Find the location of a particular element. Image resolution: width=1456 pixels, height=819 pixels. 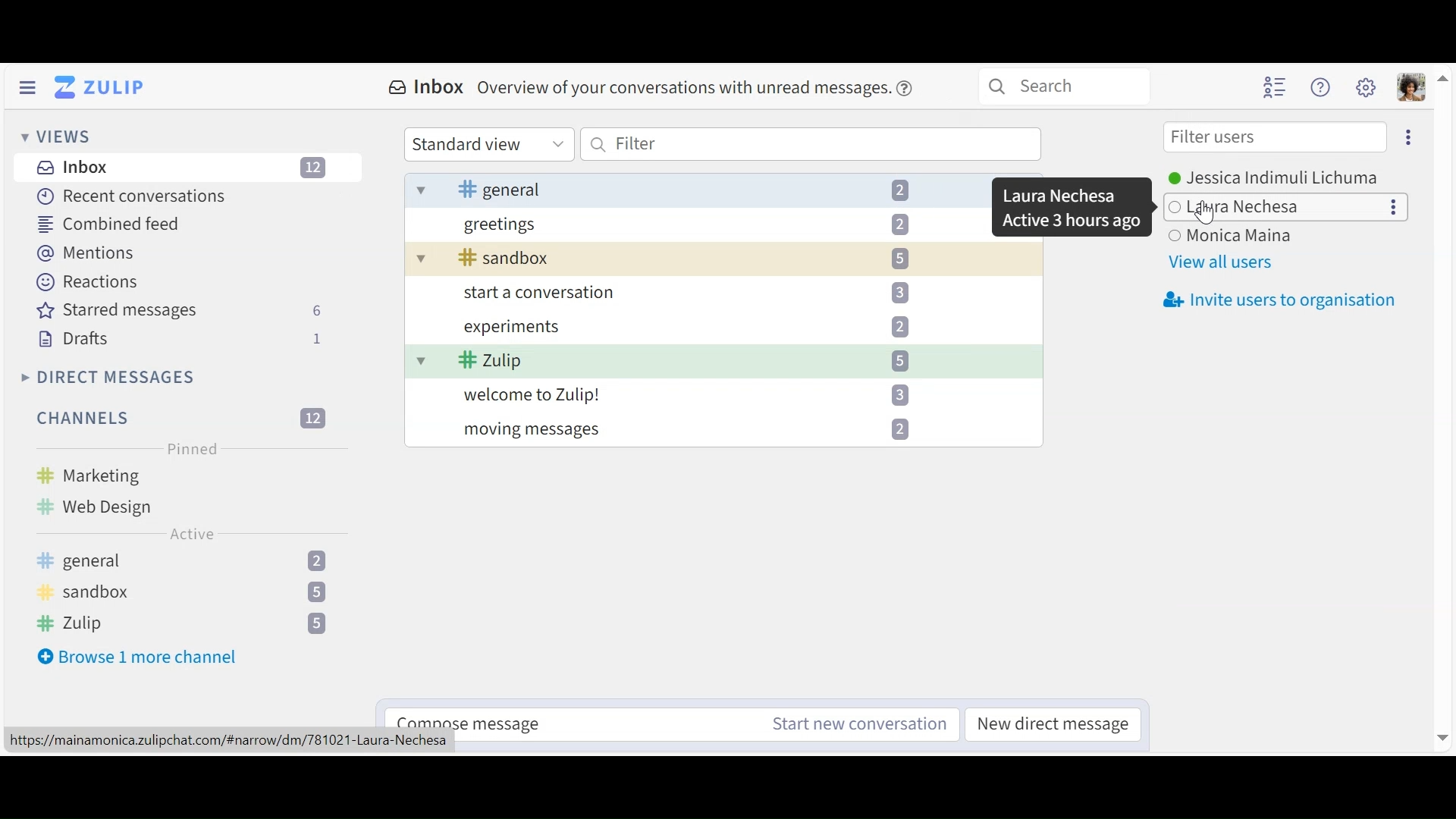

moving messages is located at coordinates (692, 430).